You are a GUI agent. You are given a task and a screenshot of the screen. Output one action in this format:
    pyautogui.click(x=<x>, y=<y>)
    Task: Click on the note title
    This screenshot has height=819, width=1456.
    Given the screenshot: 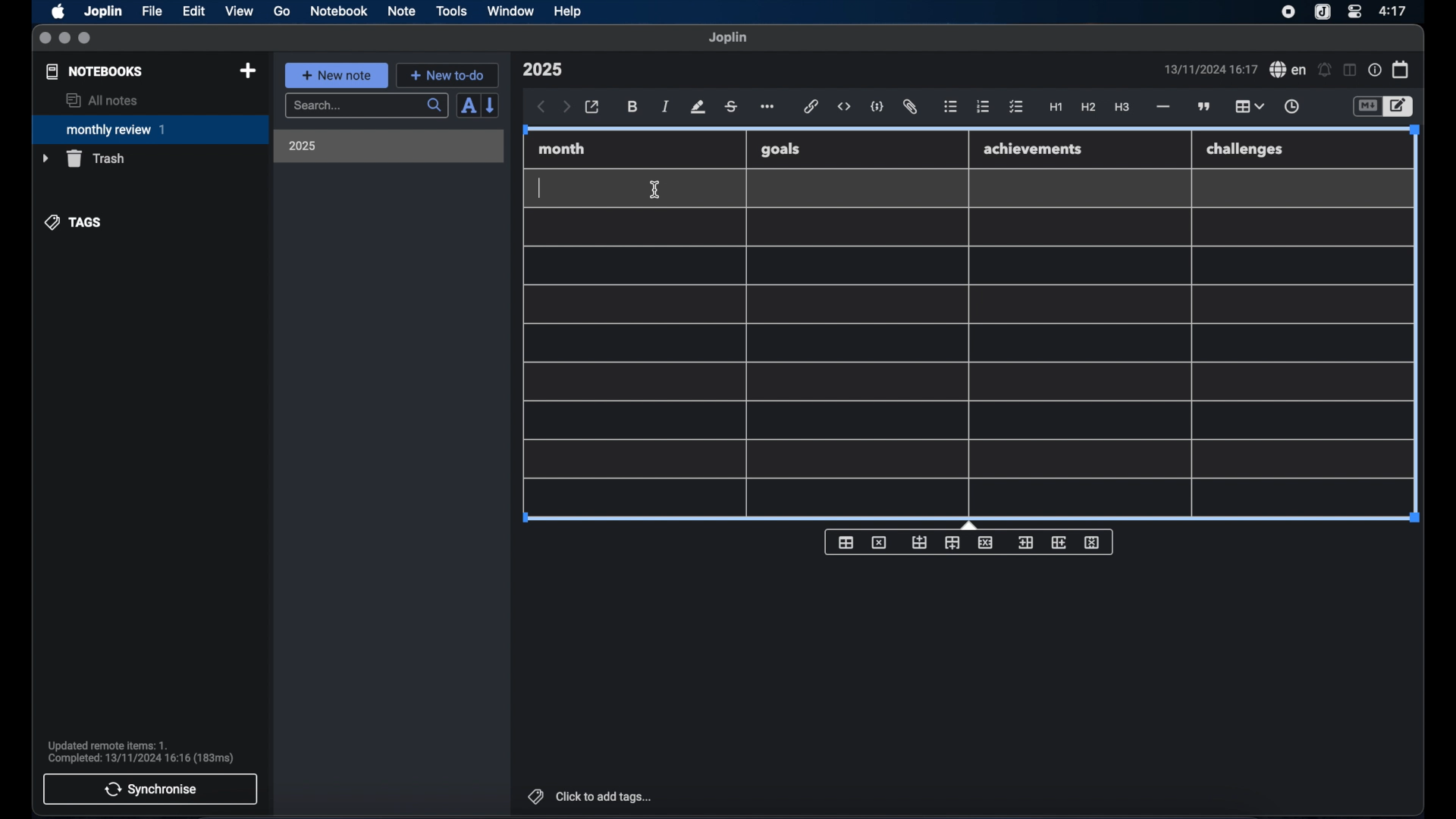 What is the action you would take?
    pyautogui.click(x=542, y=70)
    